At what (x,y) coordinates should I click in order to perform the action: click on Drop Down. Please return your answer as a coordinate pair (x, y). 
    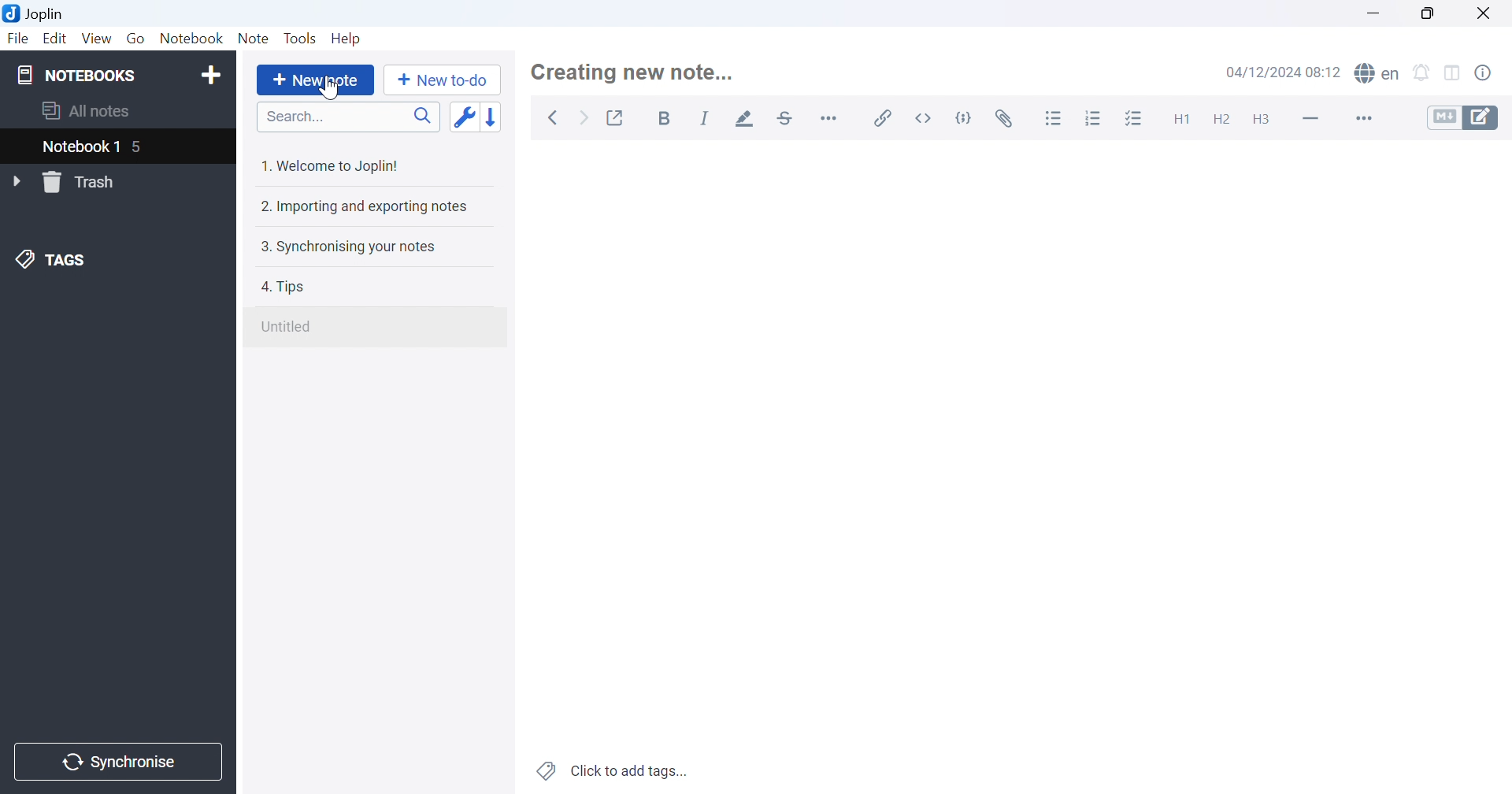
    Looking at the image, I should click on (16, 180).